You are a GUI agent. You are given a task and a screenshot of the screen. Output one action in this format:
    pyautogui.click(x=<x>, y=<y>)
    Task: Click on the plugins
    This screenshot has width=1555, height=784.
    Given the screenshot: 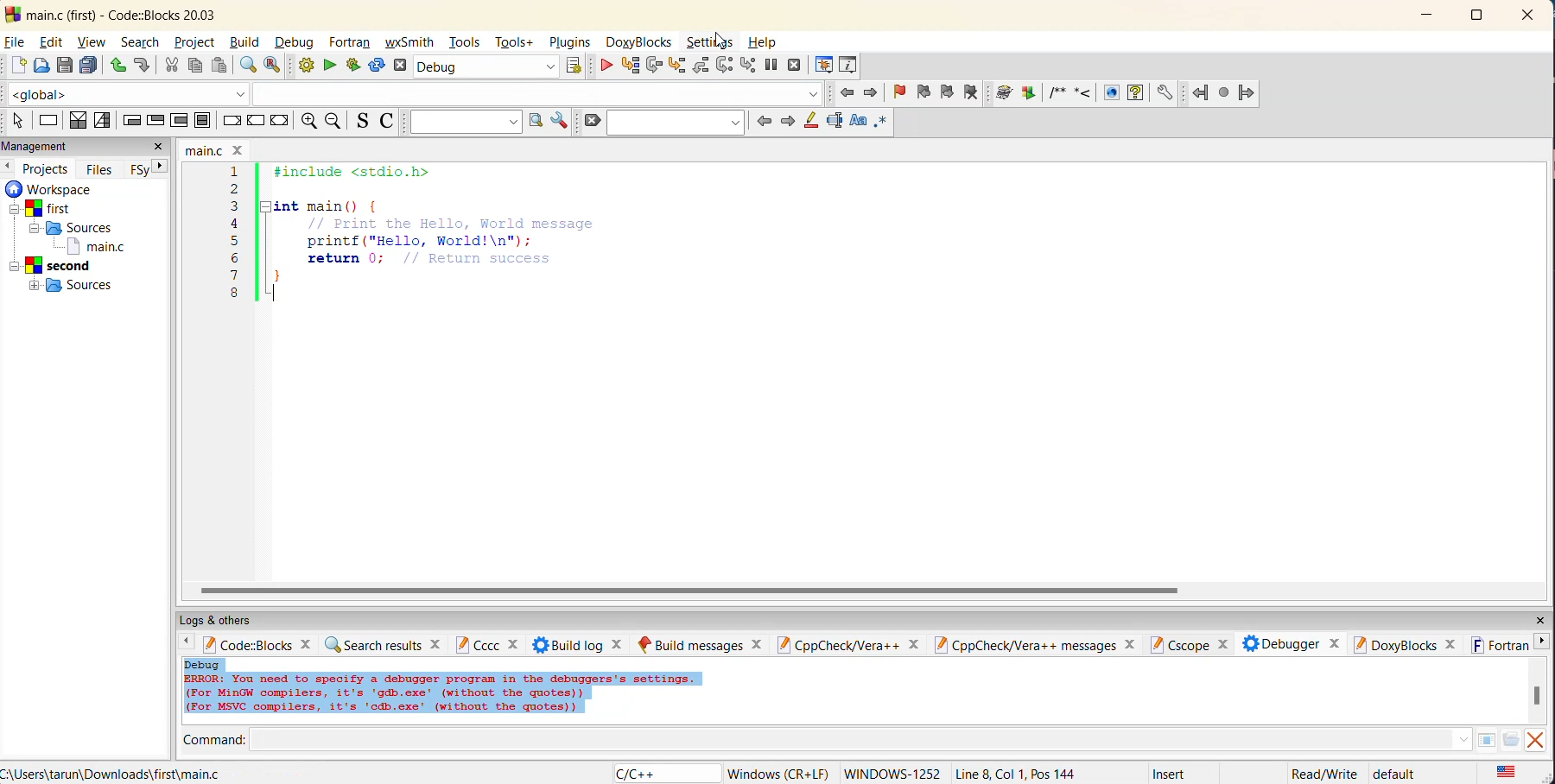 What is the action you would take?
    pyautogui.click(x=574, y=42)
    